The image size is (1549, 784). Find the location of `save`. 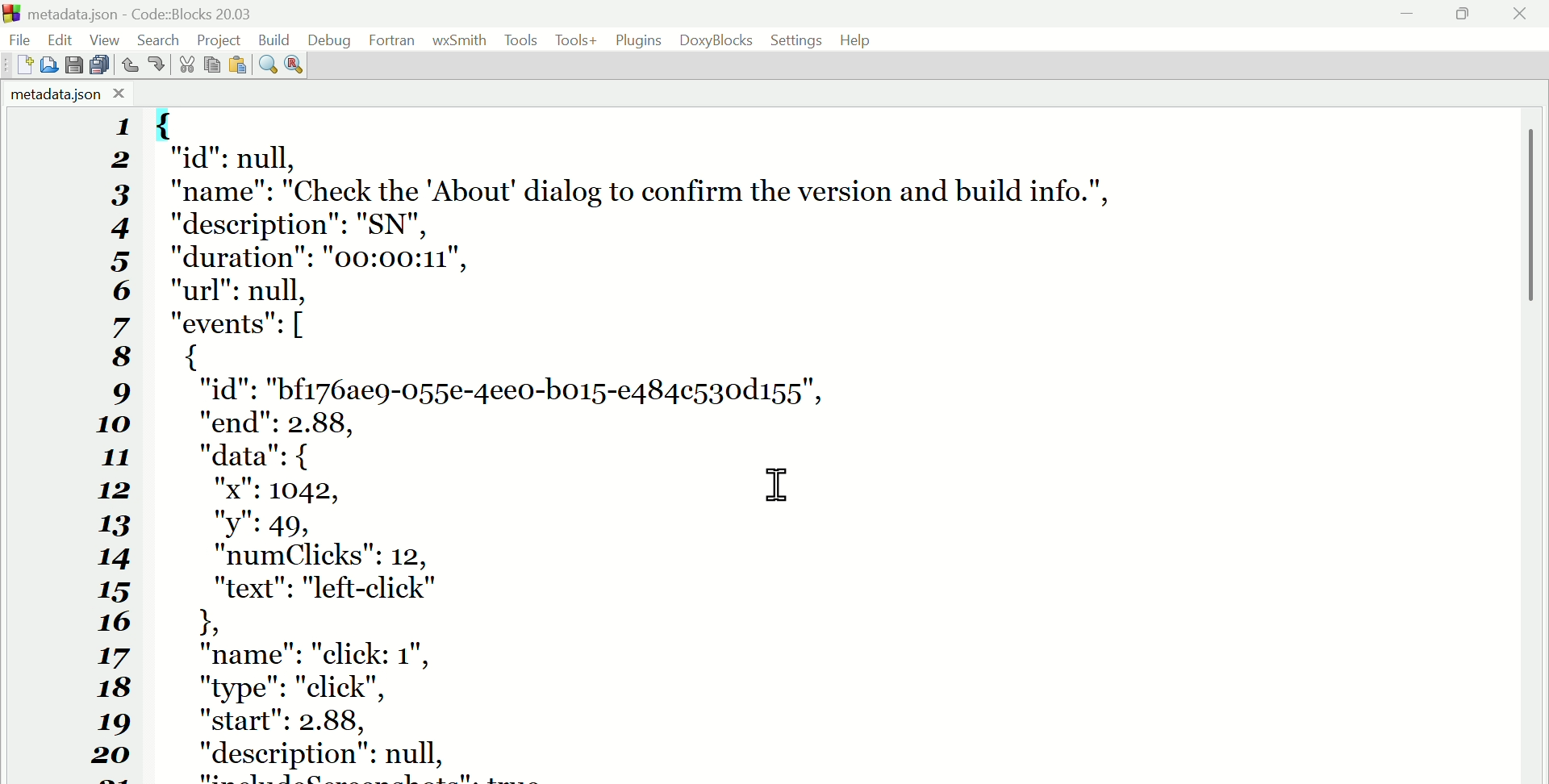

save is located at coordinates (77, 65).